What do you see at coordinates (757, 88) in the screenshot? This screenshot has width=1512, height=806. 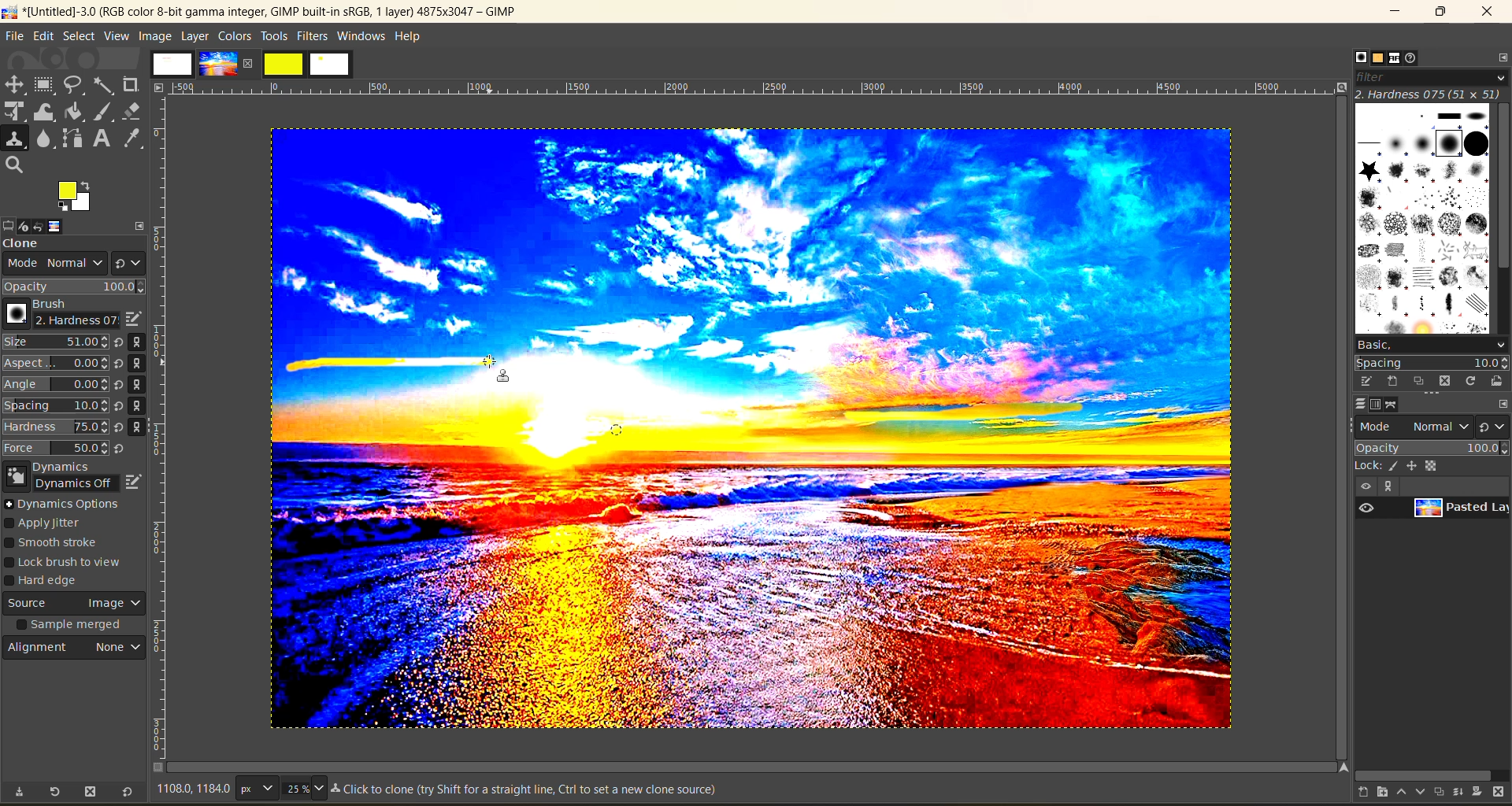 I see `ruler` at bounding box center [757, 88].